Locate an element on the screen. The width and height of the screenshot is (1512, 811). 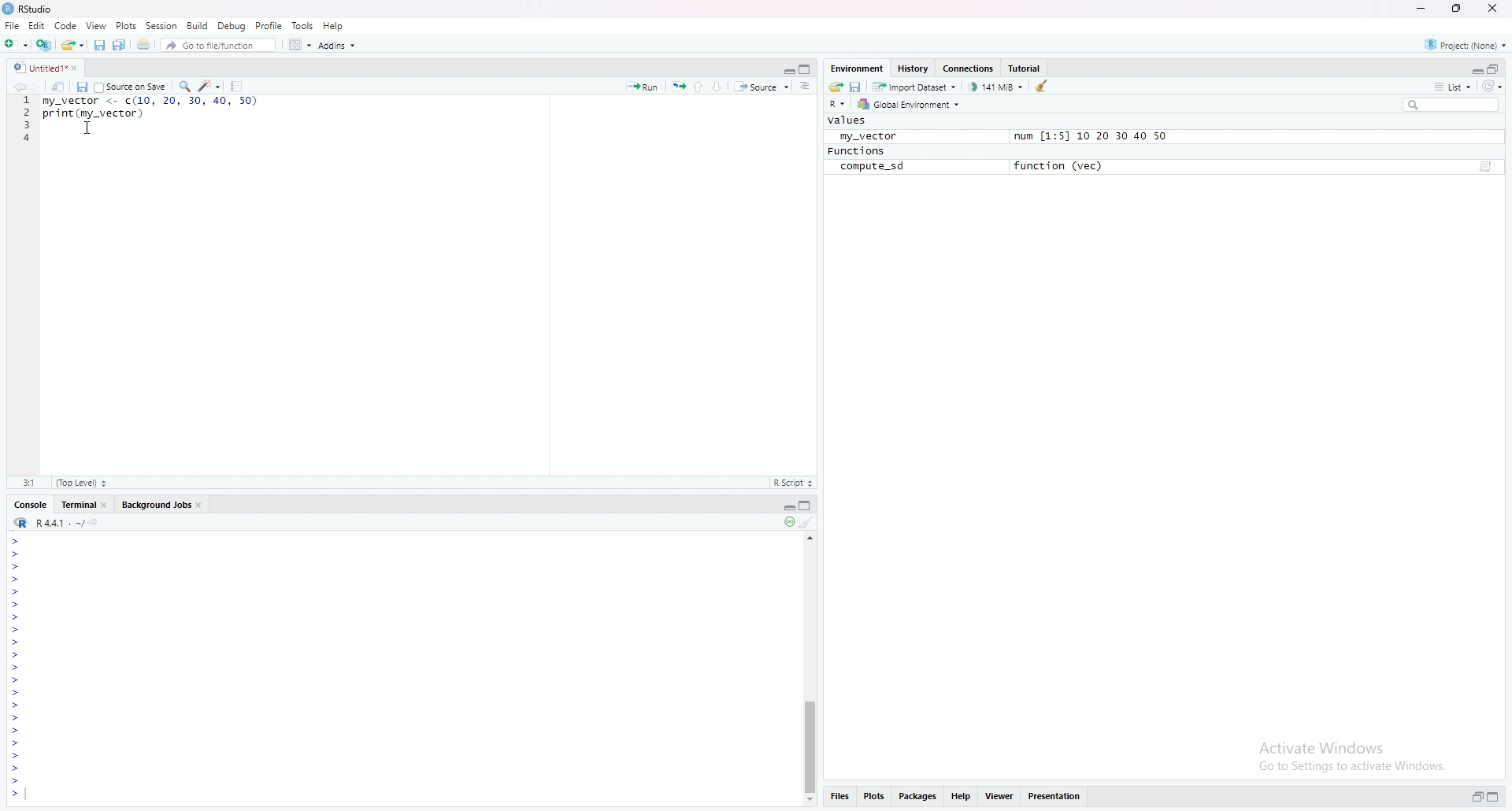
Print the current file is located at coordinates (142, 45).